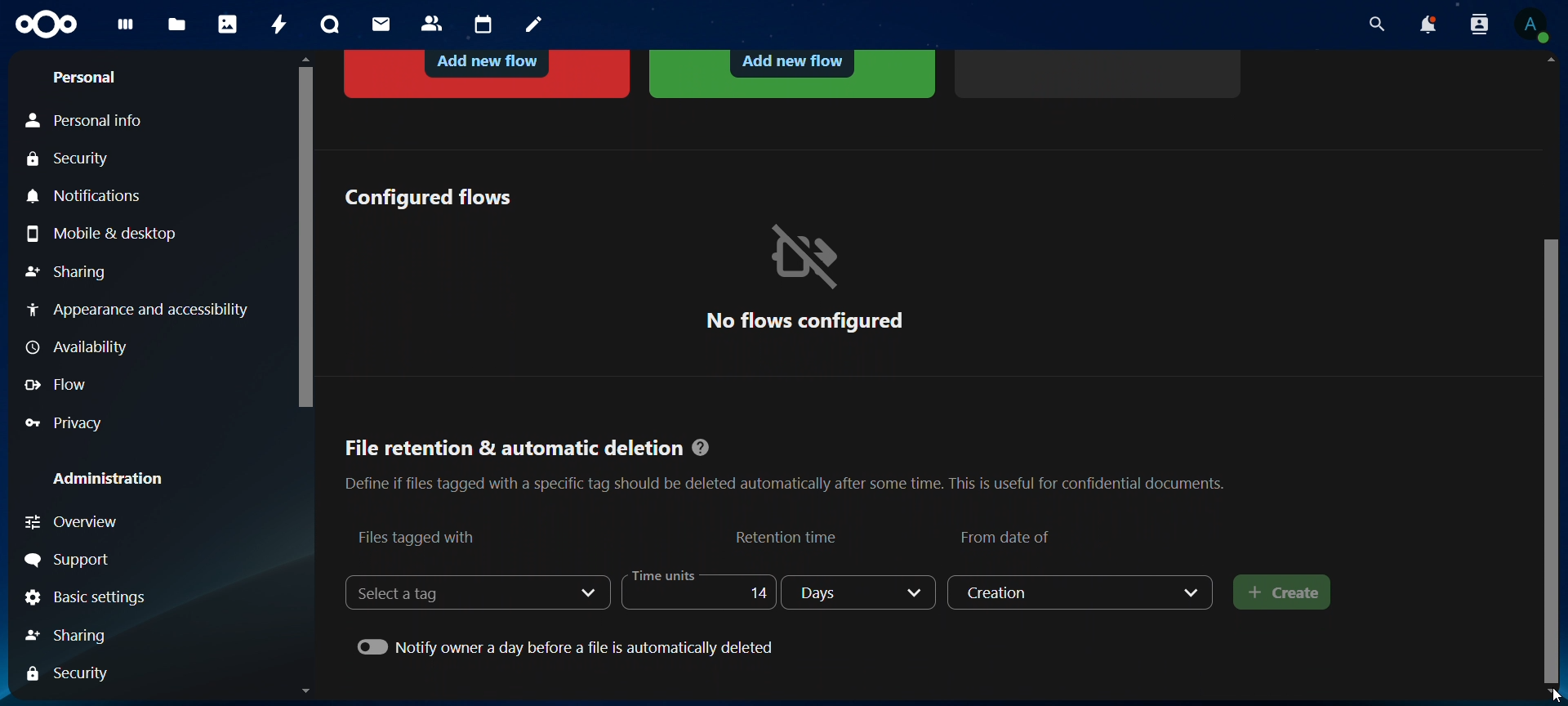 The image size is (1568, 706). What do you see at coordinates (74, 422) in the screenshot?
I see `privacy` at bounding box center [74, 422].